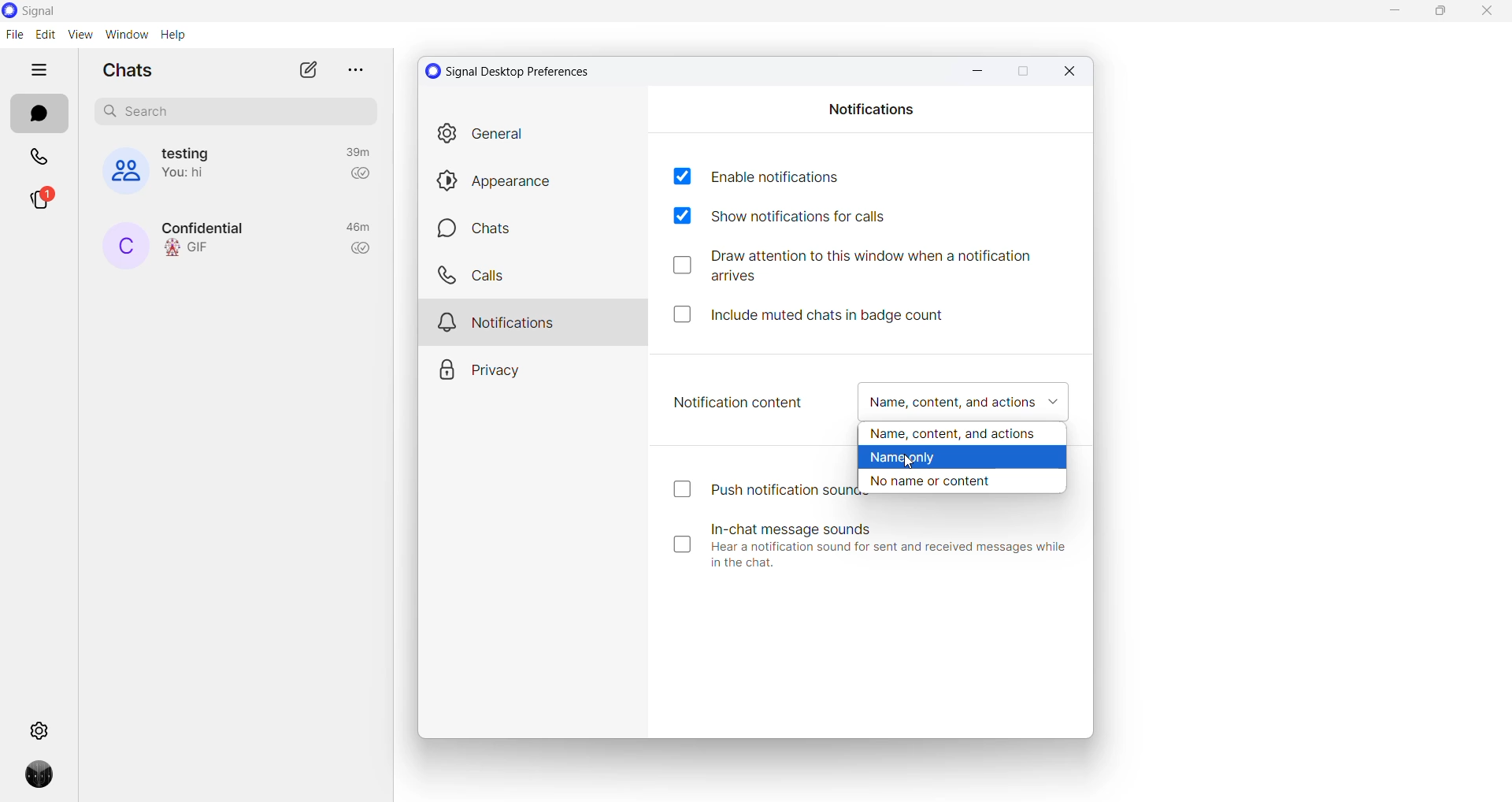 This screenshot has height=802, width=1512. What do you see at coordinates (352, 69) in the screenshot?
I see `more options` at bounding box center [352, 69].